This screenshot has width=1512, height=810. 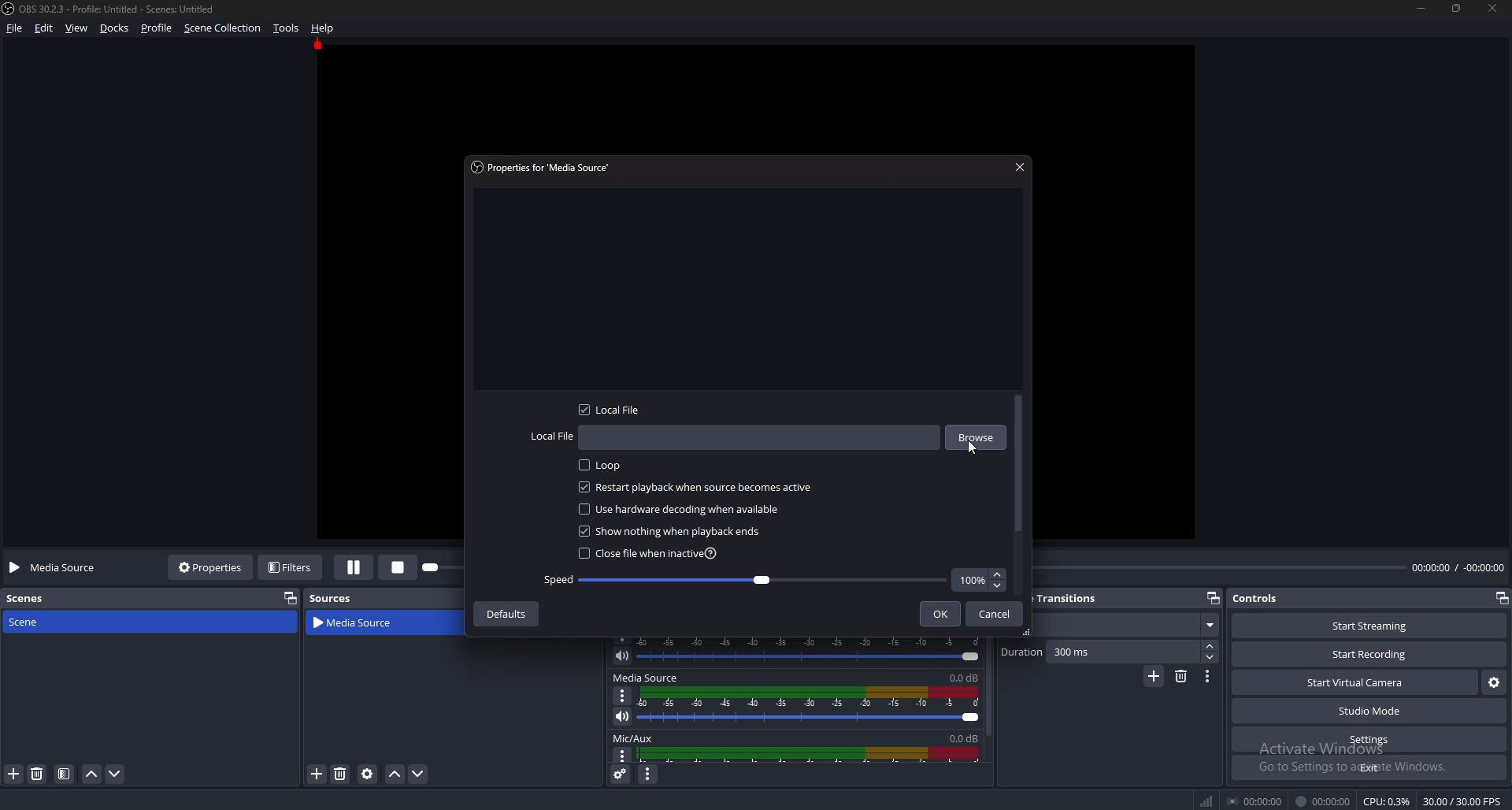 What do you see at coordinates (734, 438) in the screenshot?
I see `Local file` at bounding box center [734, 438].